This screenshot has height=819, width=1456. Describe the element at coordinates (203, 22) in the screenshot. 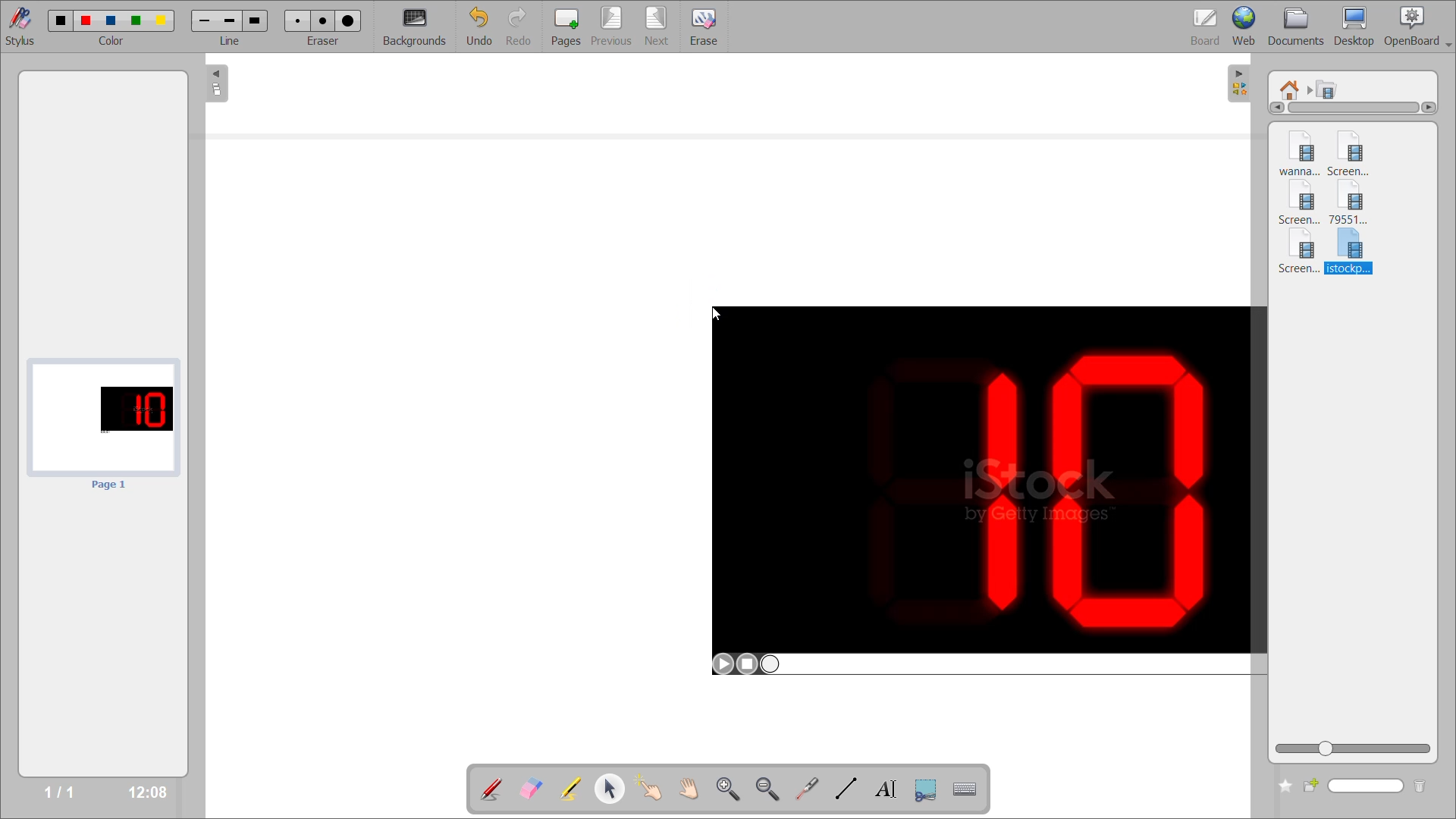

I see `Small line` at that location.